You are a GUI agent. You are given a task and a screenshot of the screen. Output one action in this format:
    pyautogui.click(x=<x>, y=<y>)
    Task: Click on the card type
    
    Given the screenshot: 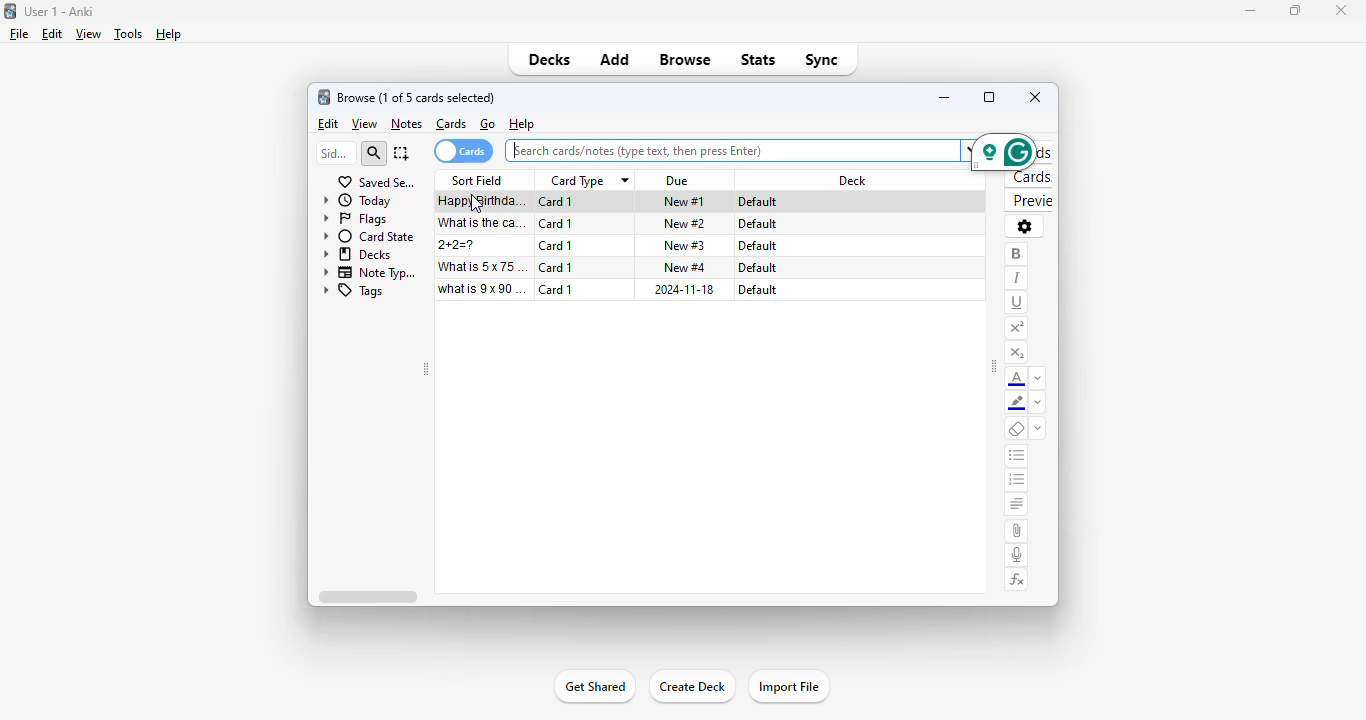 What is the action you would take?
    pyautogui.click(x=588, y=181)
    